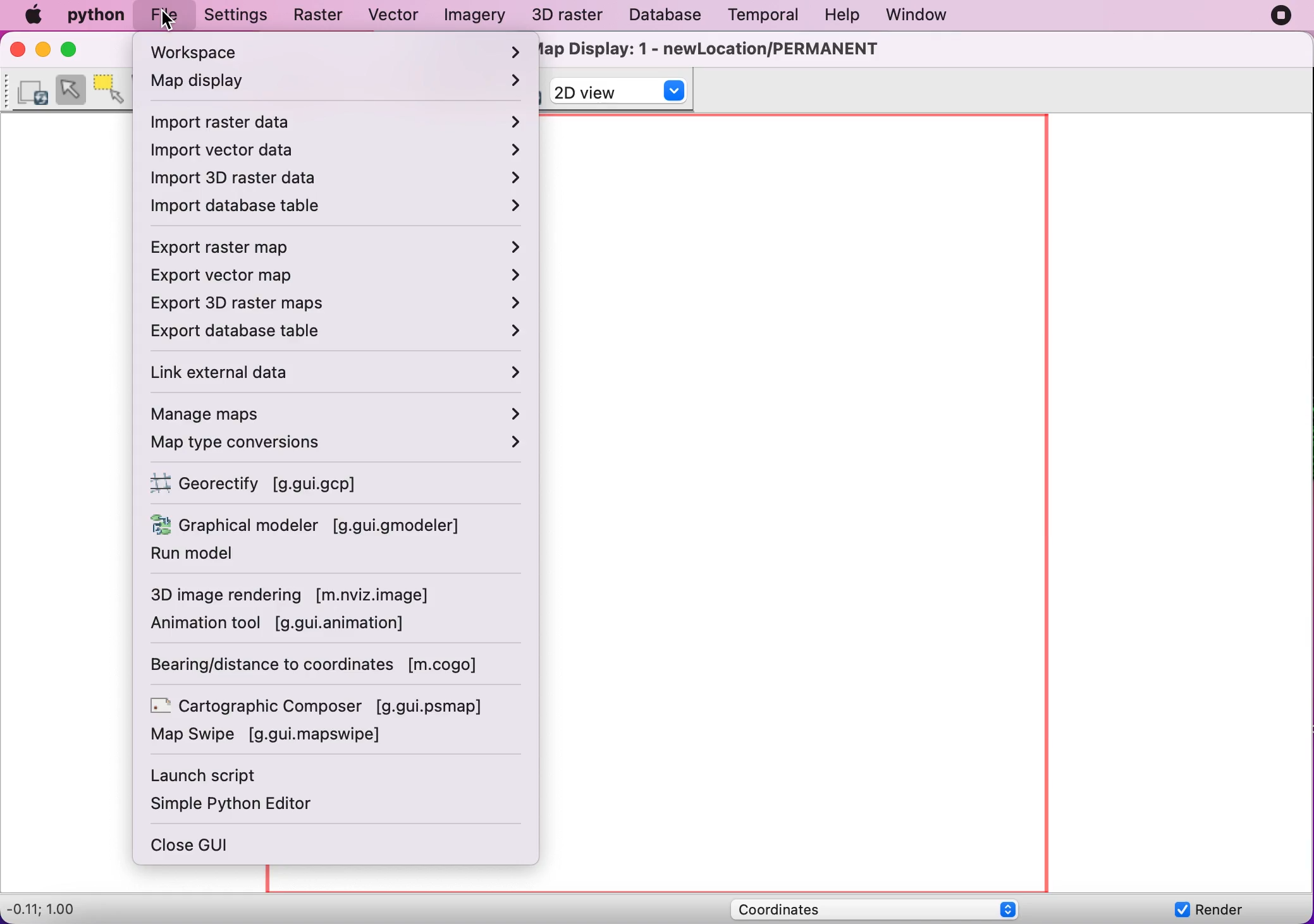 This screenshot has width=1314, height=924. Describe the element at coordinates (163, 18) in the screenshot. I see `file` at that location.